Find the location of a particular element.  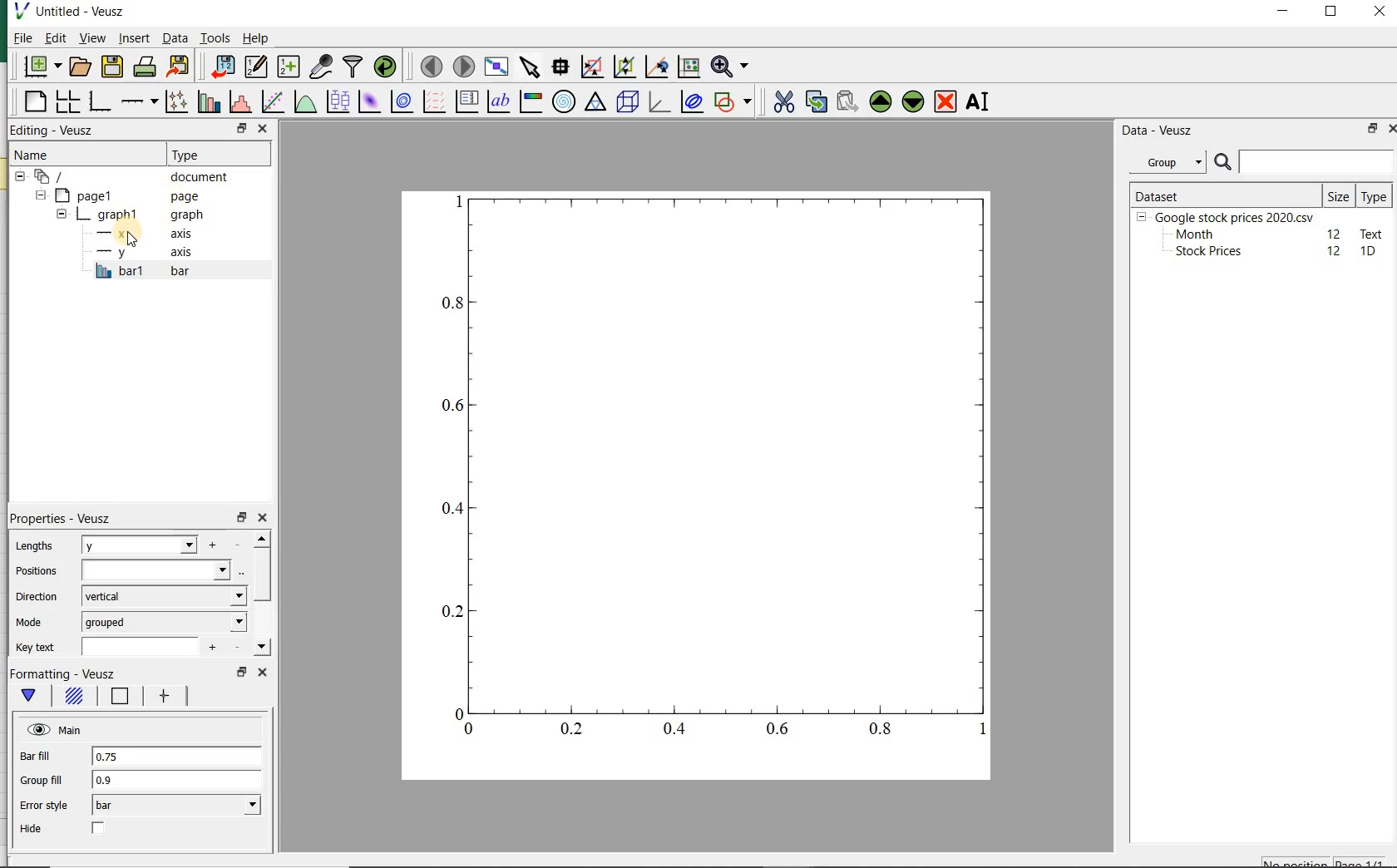

Name is located at coordinates (42, 155).